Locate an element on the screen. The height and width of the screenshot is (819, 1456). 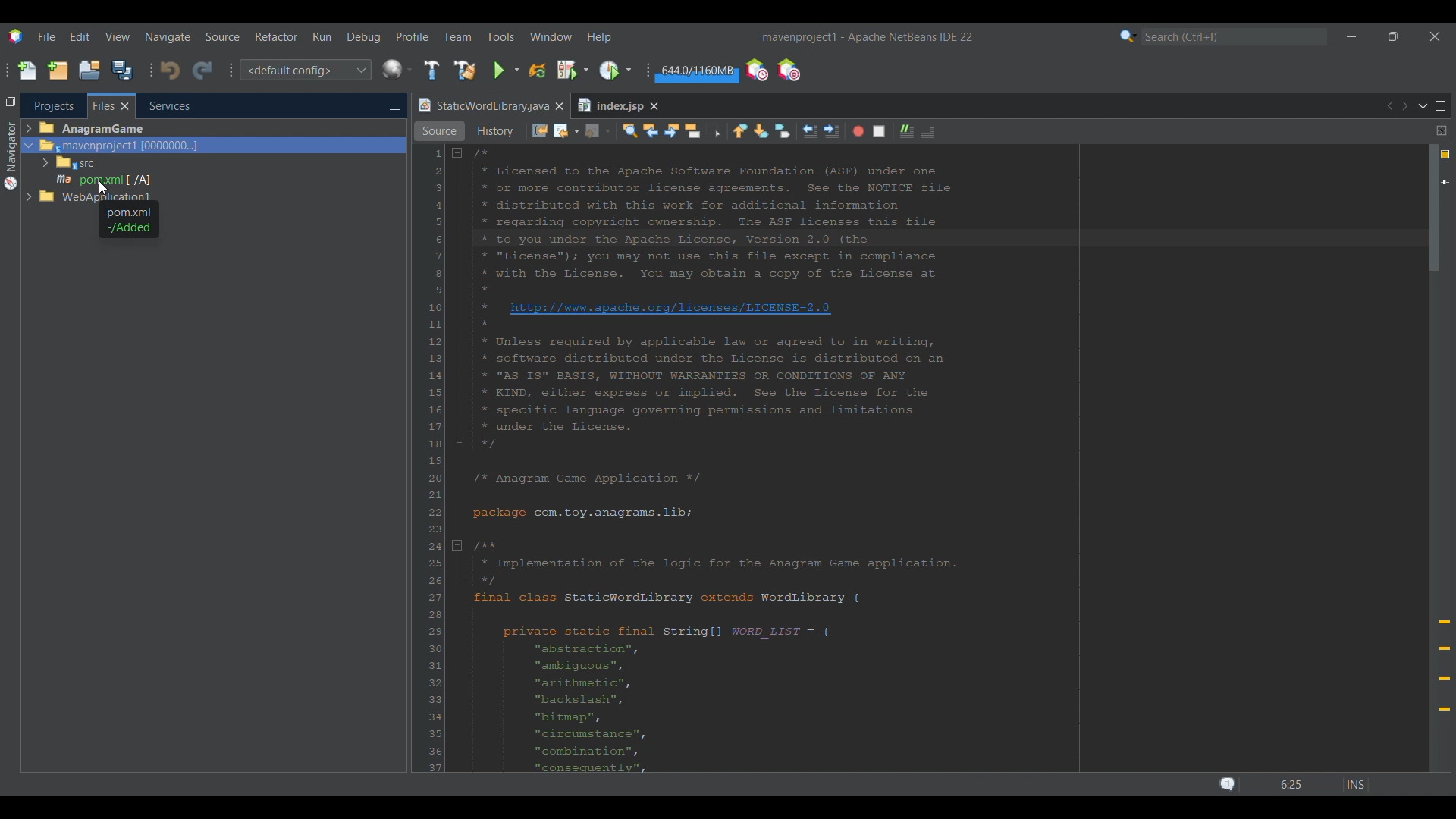
View menu is located at coordinates (118, 37).